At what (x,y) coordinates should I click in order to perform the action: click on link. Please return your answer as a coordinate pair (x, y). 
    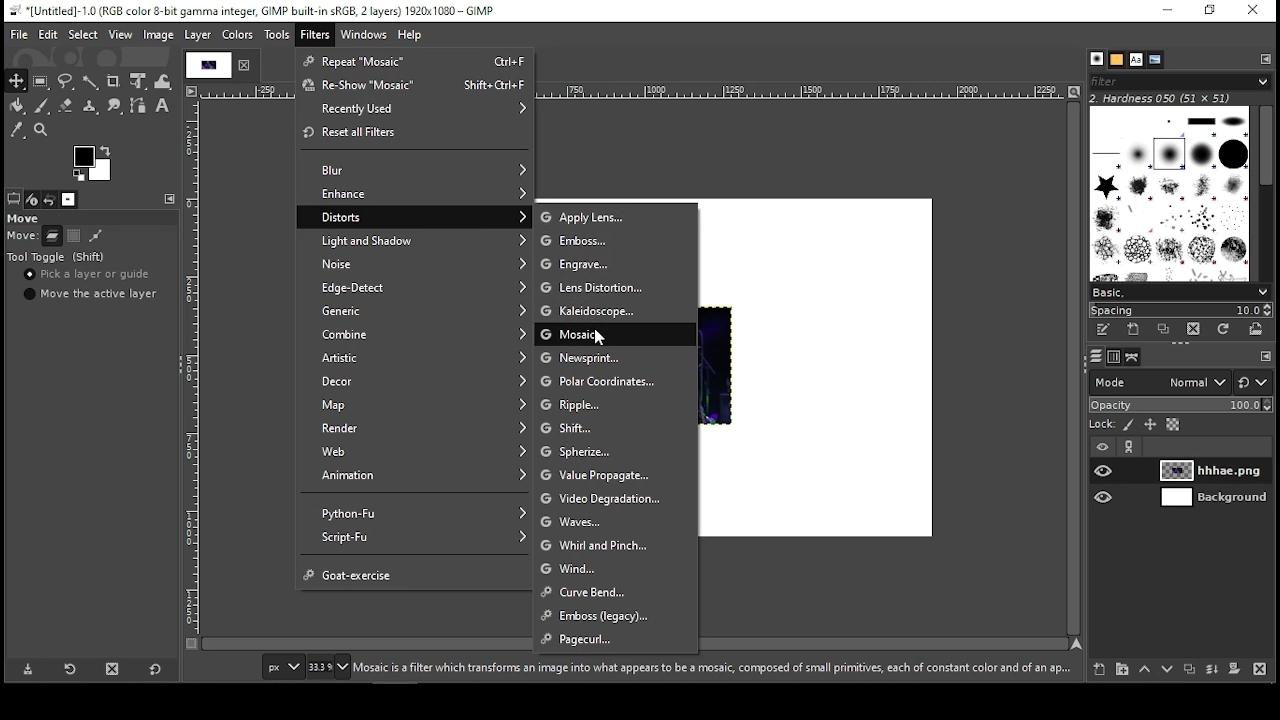
    Looking at the image, I should click on (1131, 447).